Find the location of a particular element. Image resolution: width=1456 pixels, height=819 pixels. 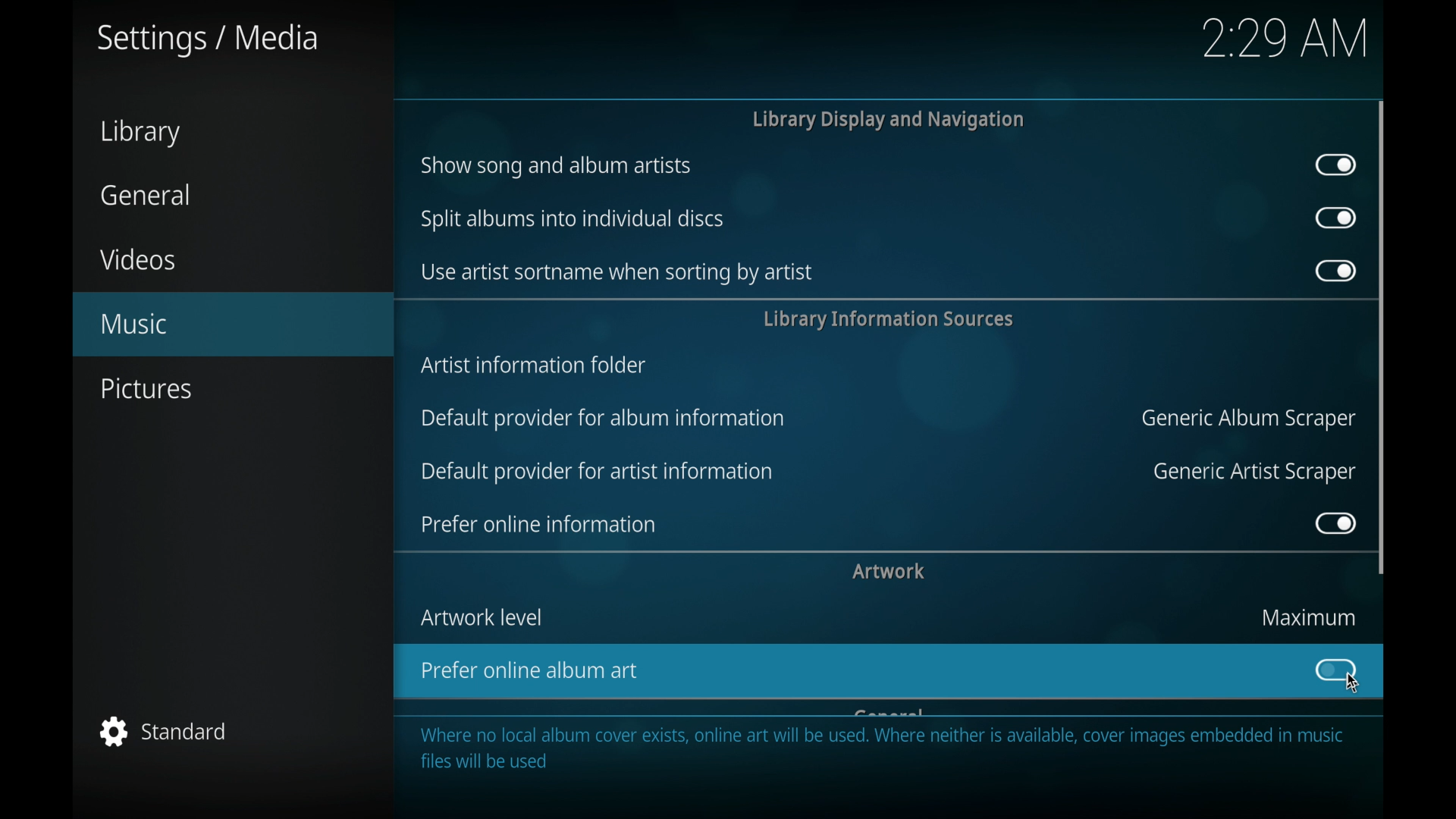

maximum is located at coordinates (1305, 618).